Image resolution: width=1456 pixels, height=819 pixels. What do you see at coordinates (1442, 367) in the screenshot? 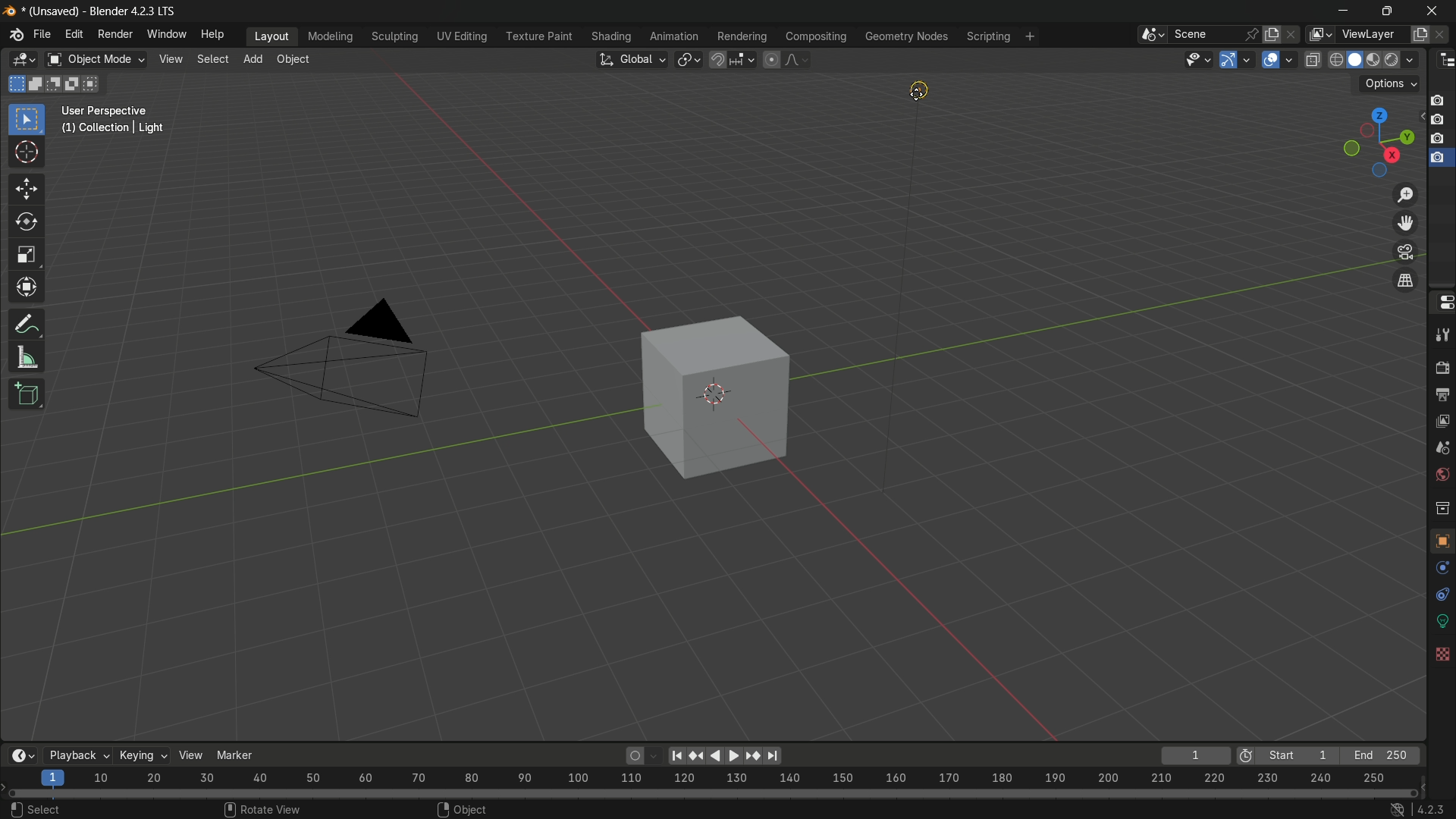
I see `render` at bounding box center [1442, 367].